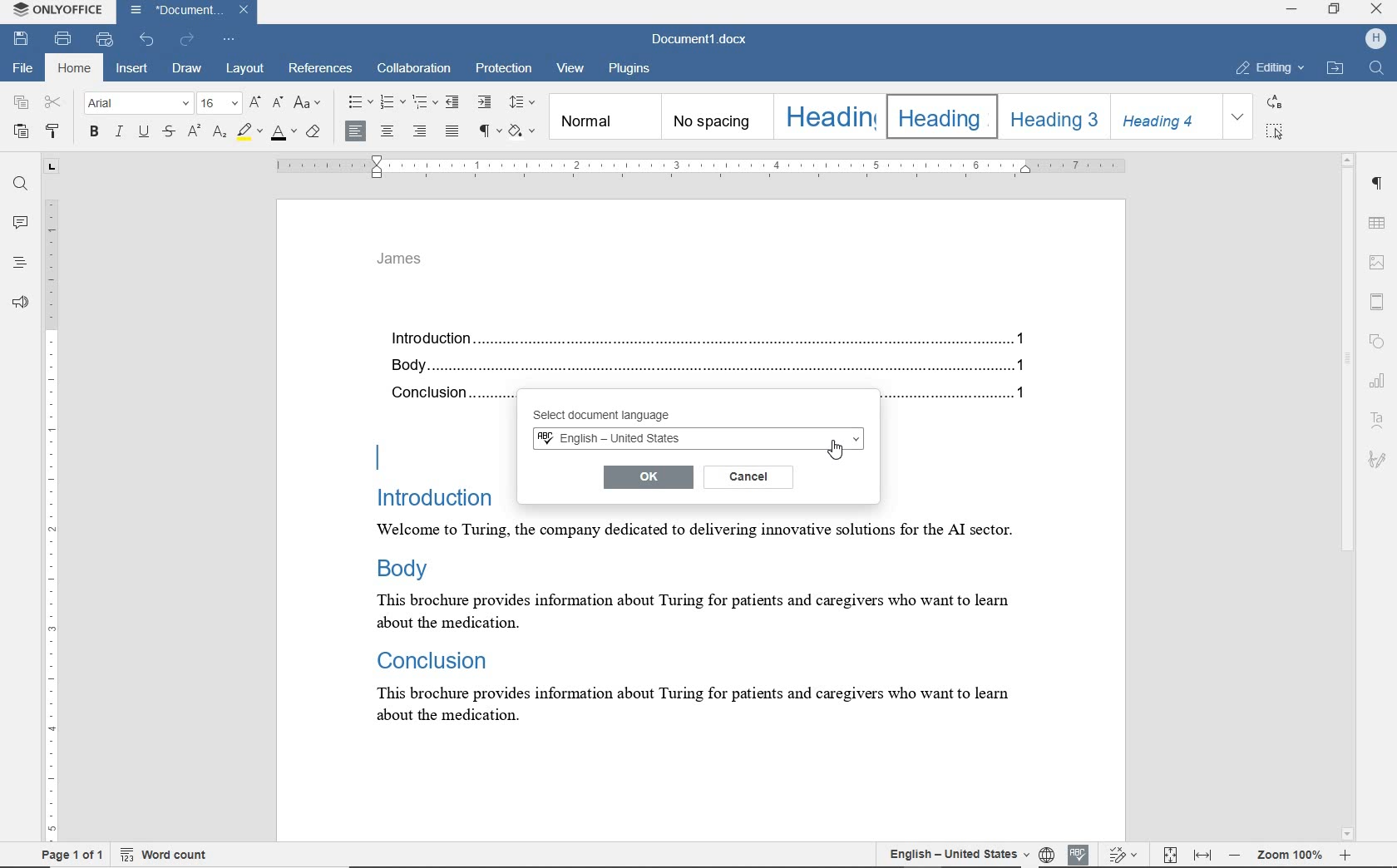  Describe the element at coordinates (1293, 853) in the screenshot. I see `zoom out or zoom in` at that location.